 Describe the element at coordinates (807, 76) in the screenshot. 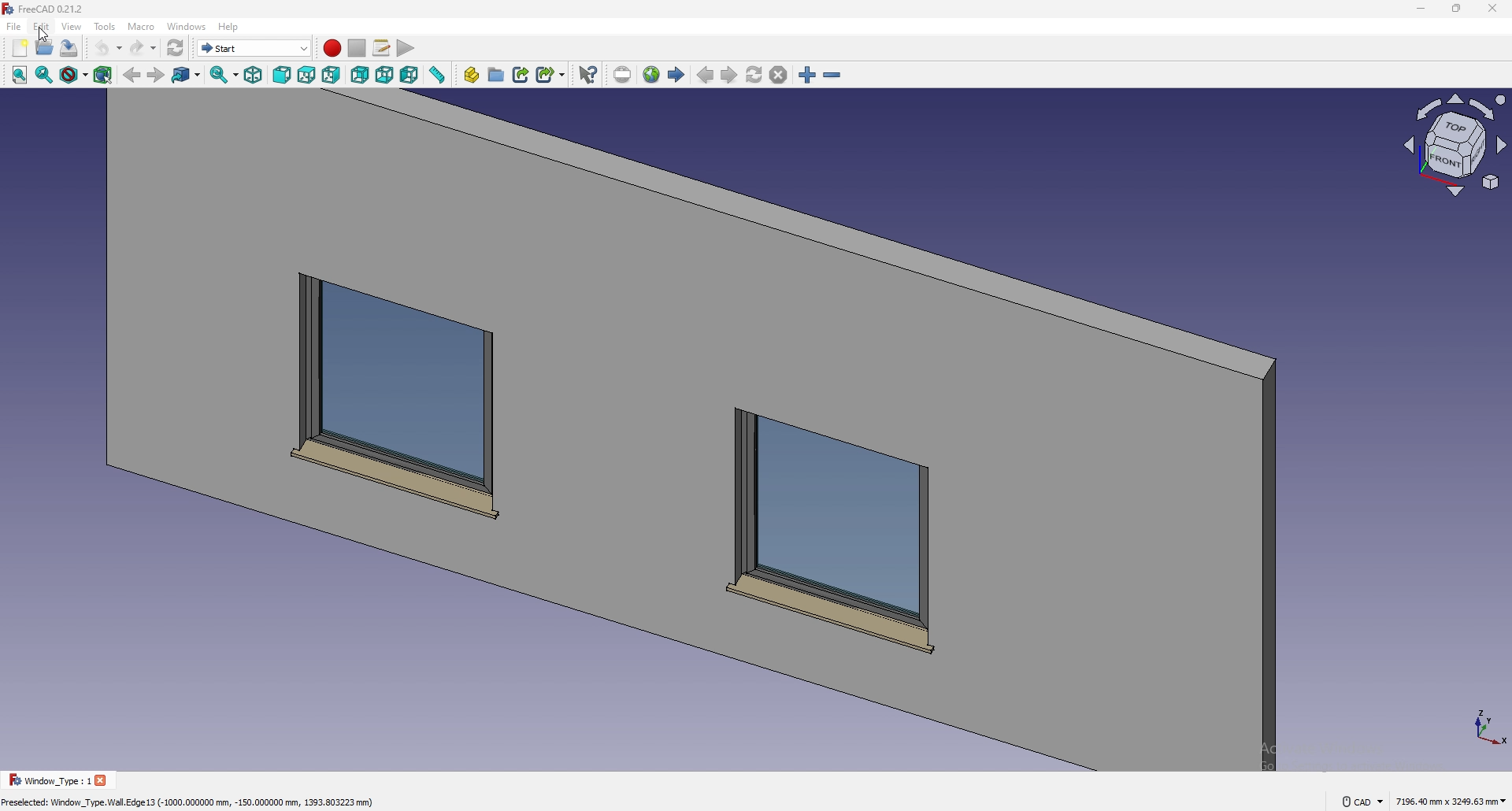

I see `zoom in` at that location.